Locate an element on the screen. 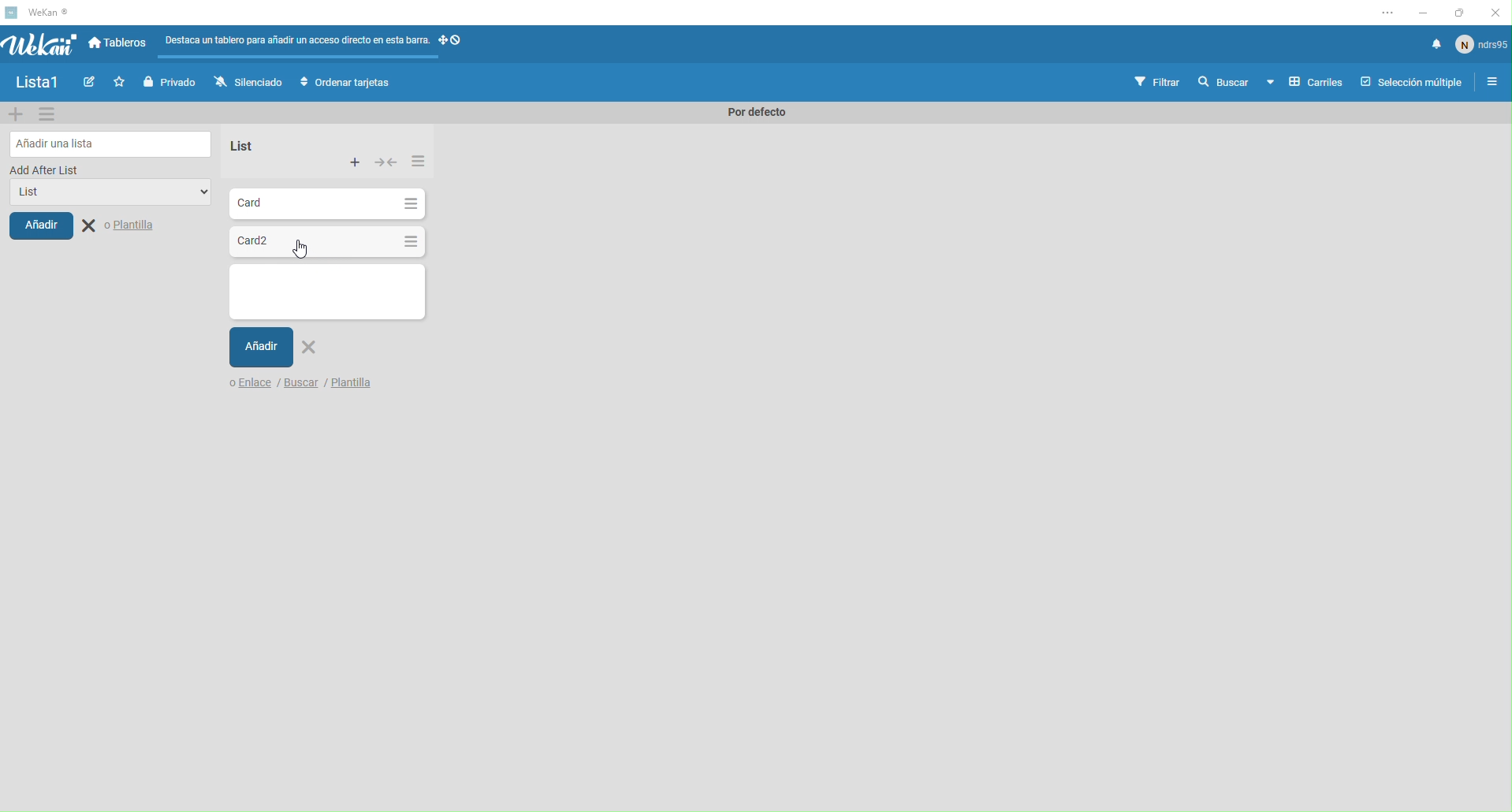 The height and width of the screenshot is (812, 1512). por defecto  is located at coordinates (758, 116).